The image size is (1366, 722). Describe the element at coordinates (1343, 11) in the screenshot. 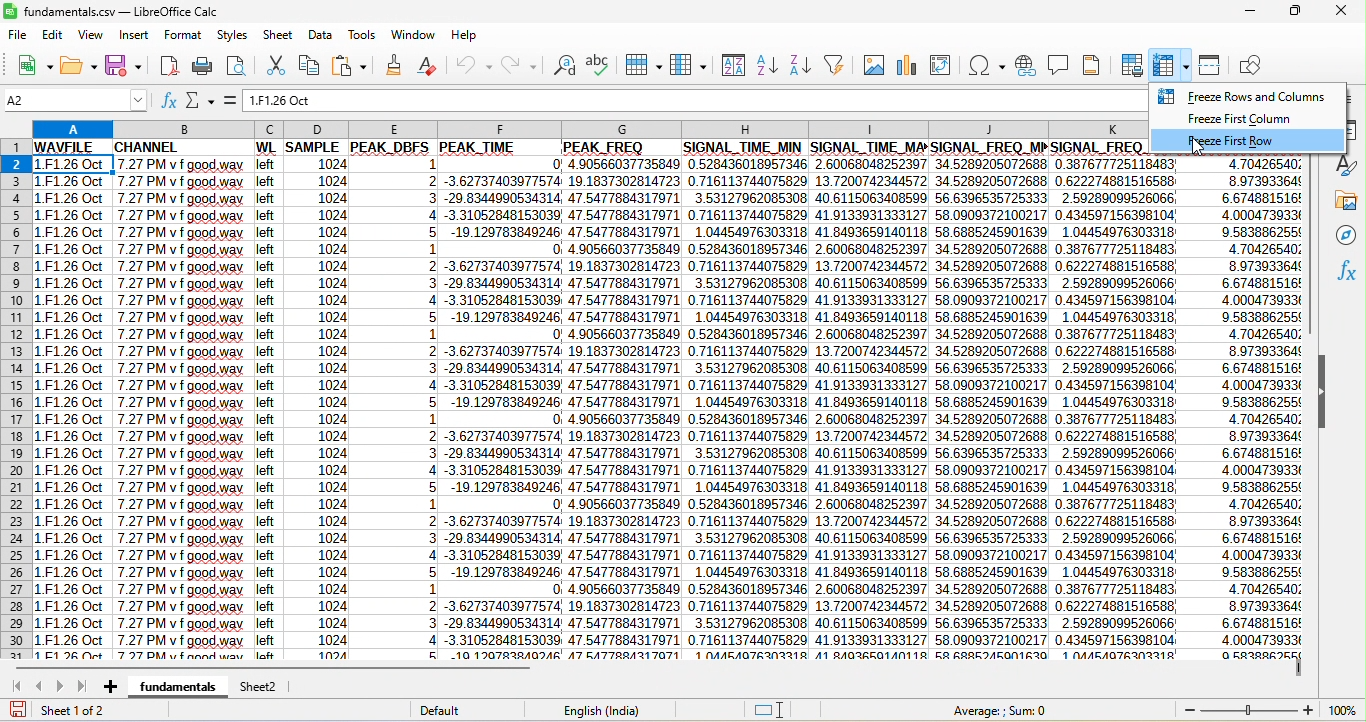

I see `close` at that location.